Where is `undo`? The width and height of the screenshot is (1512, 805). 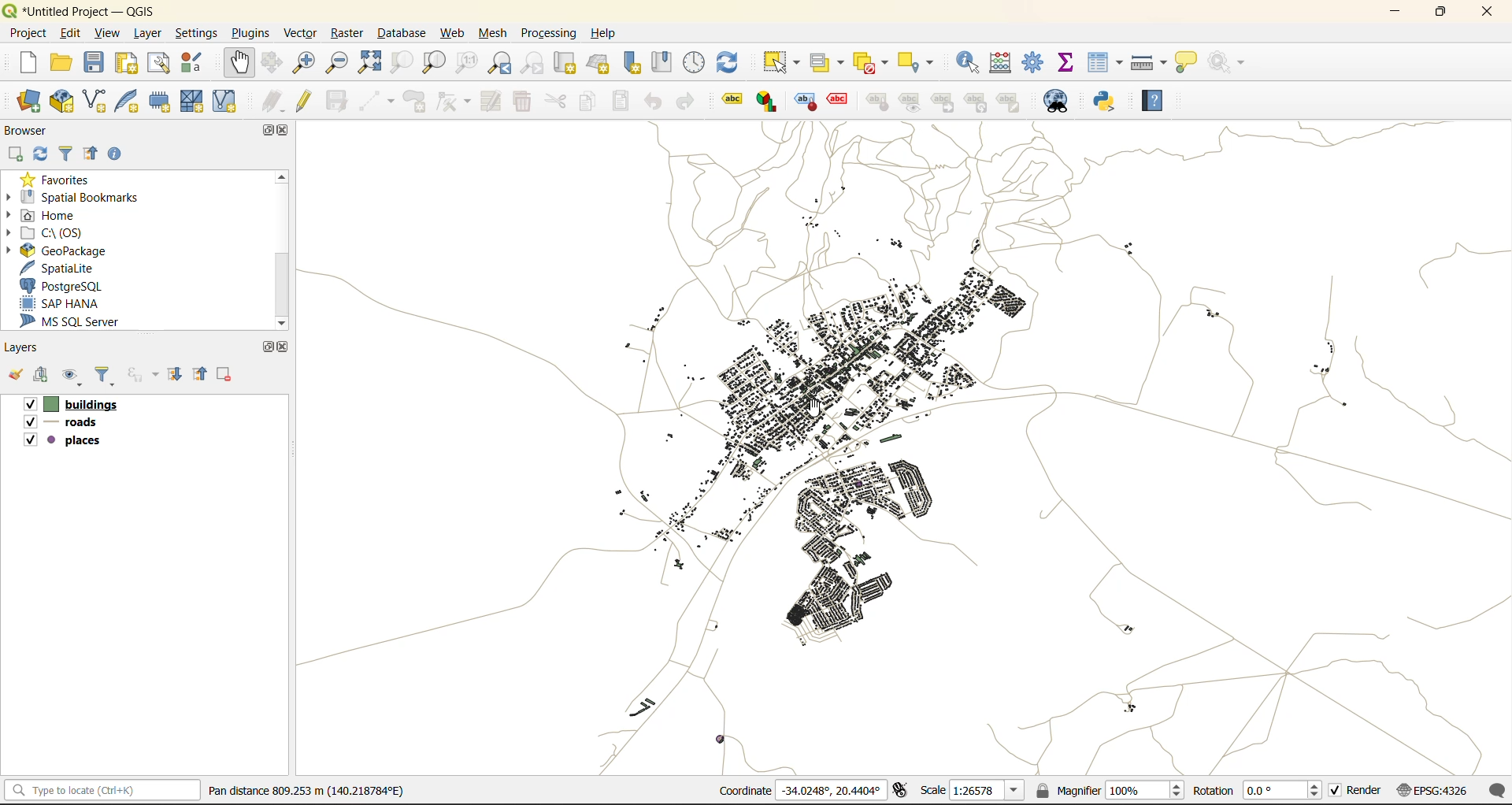 undo is located at coordinates (654, 102).